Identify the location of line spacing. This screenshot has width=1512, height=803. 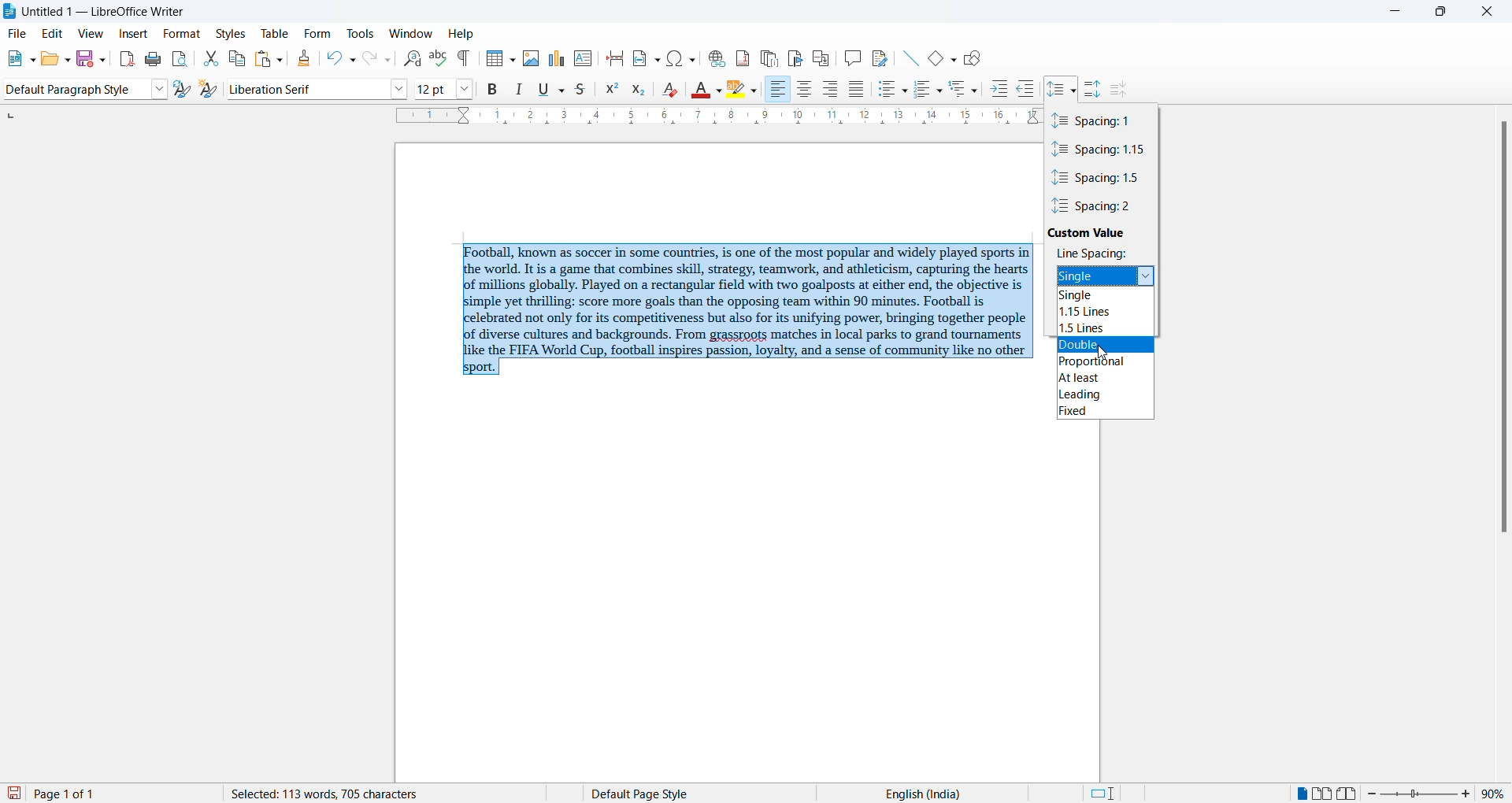
(1054, 90).